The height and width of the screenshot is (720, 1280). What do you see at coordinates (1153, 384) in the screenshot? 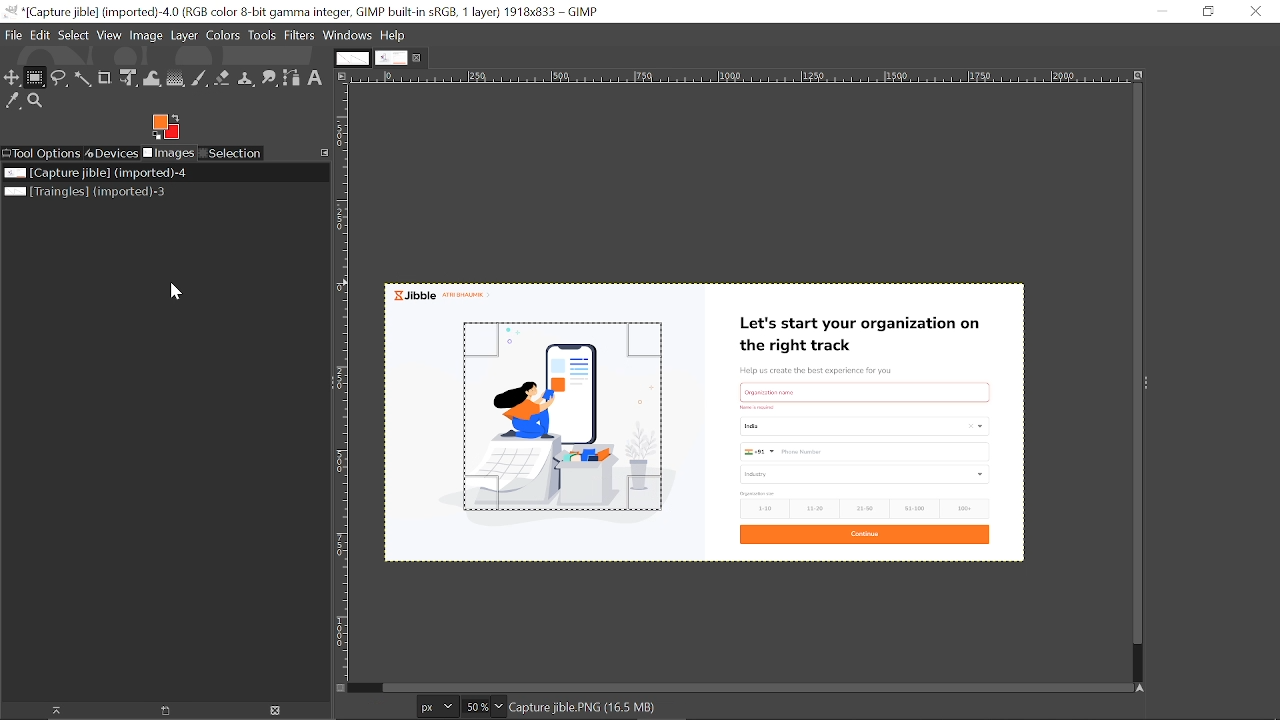
I see `Sidebar menu` at bounding box center [1153, 384].